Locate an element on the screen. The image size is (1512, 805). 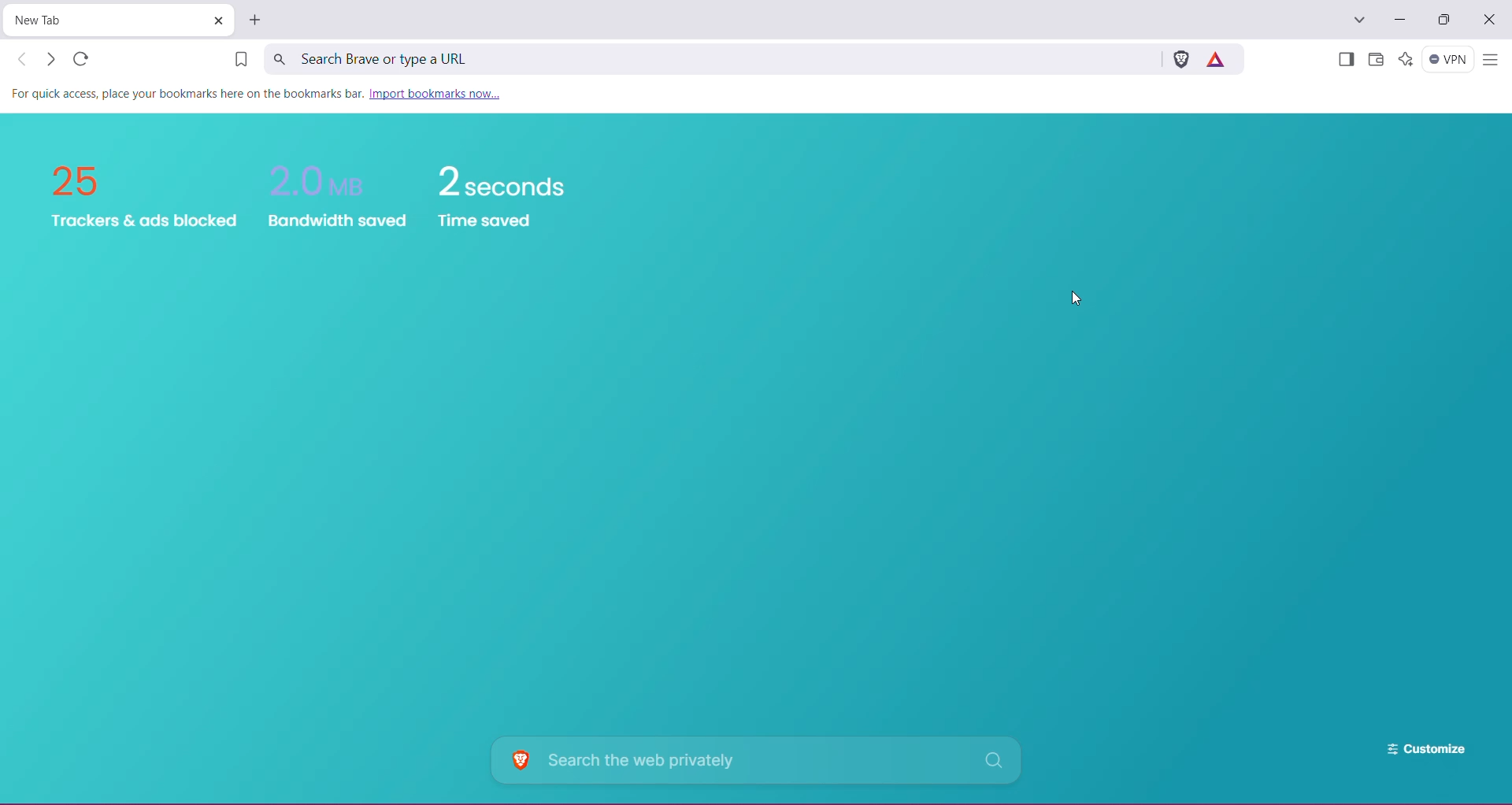
New Tab is located at coordinates (106, 20).